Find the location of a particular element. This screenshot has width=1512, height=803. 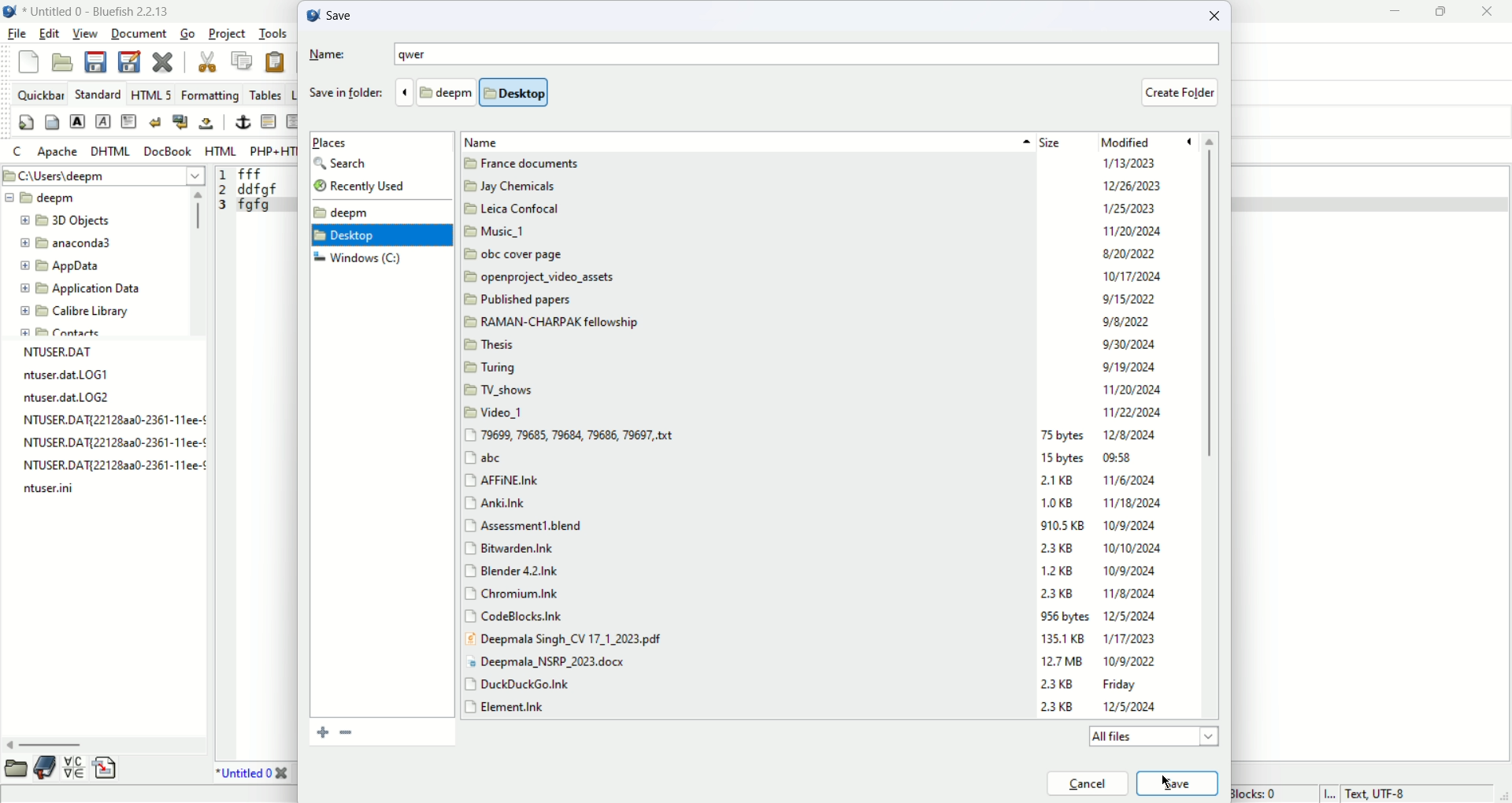

Untitled 0-Bluefish 2.2.13 is located at coordinates (99, 12).